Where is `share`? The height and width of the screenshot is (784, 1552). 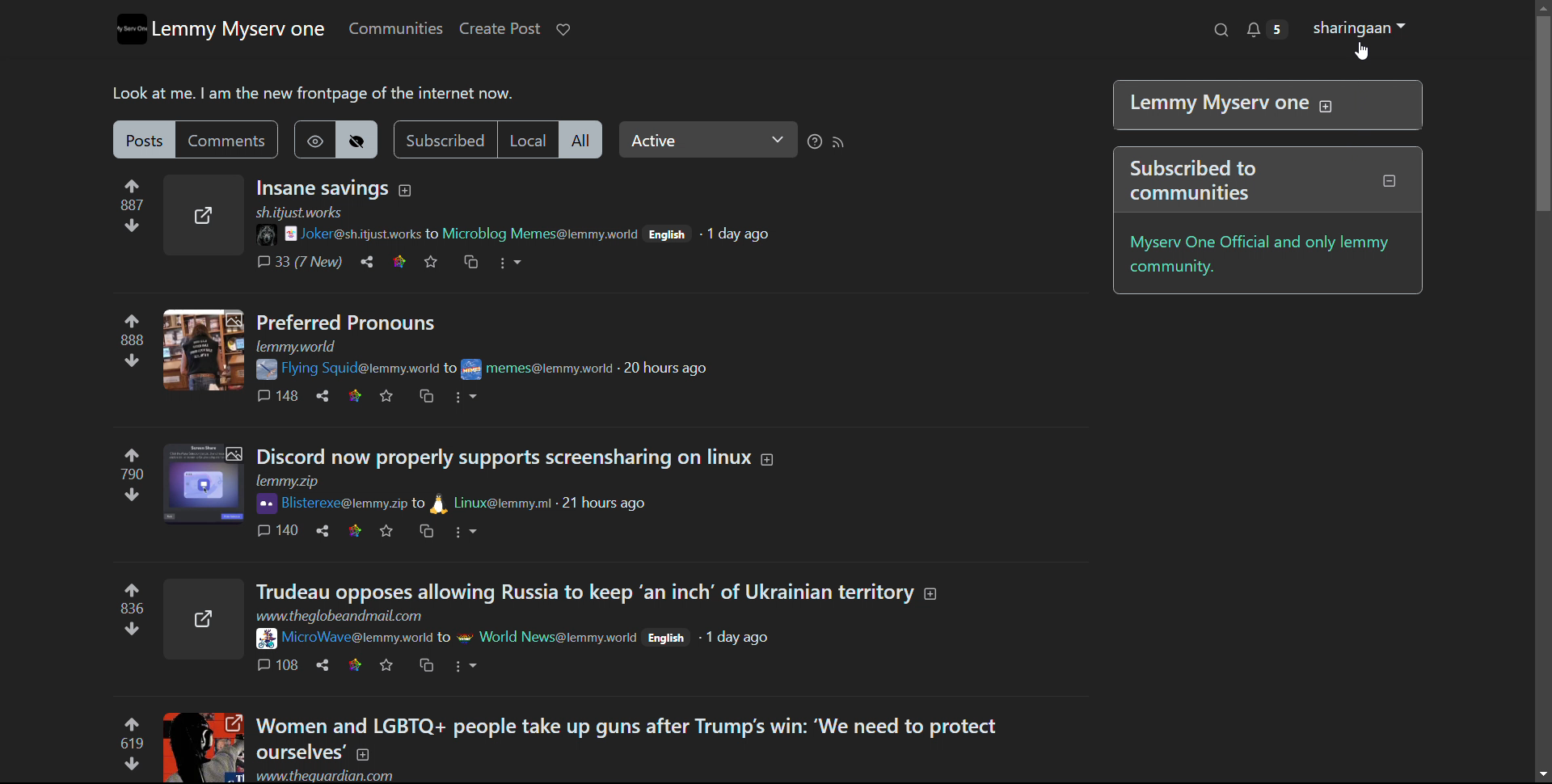
share is located at coordinates (322, 395).